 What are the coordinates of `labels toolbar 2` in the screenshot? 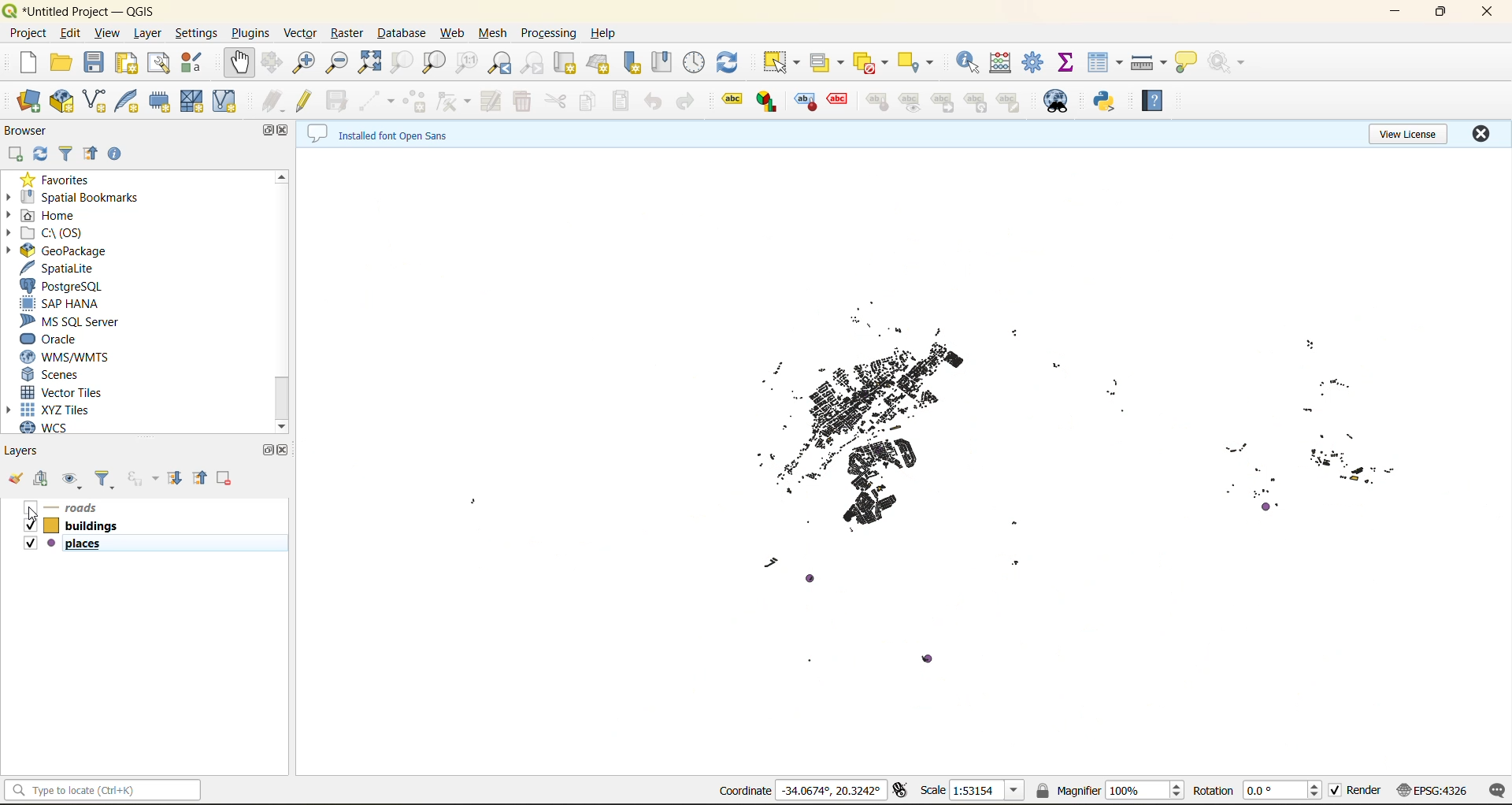 It's located at (768, 104).